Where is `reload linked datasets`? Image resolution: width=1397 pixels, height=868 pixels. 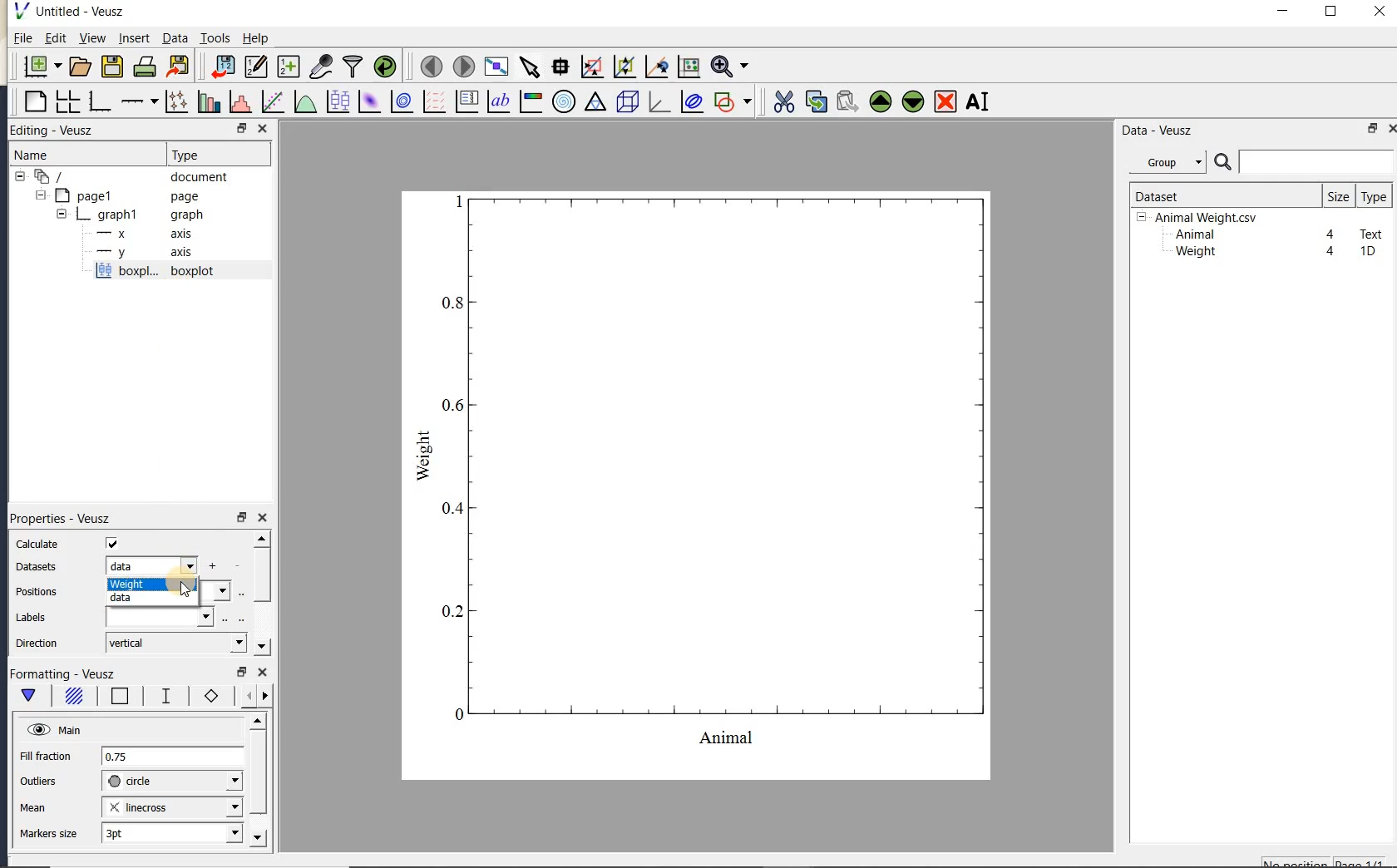
reload linked datasets is located at coordinates (385, 65).